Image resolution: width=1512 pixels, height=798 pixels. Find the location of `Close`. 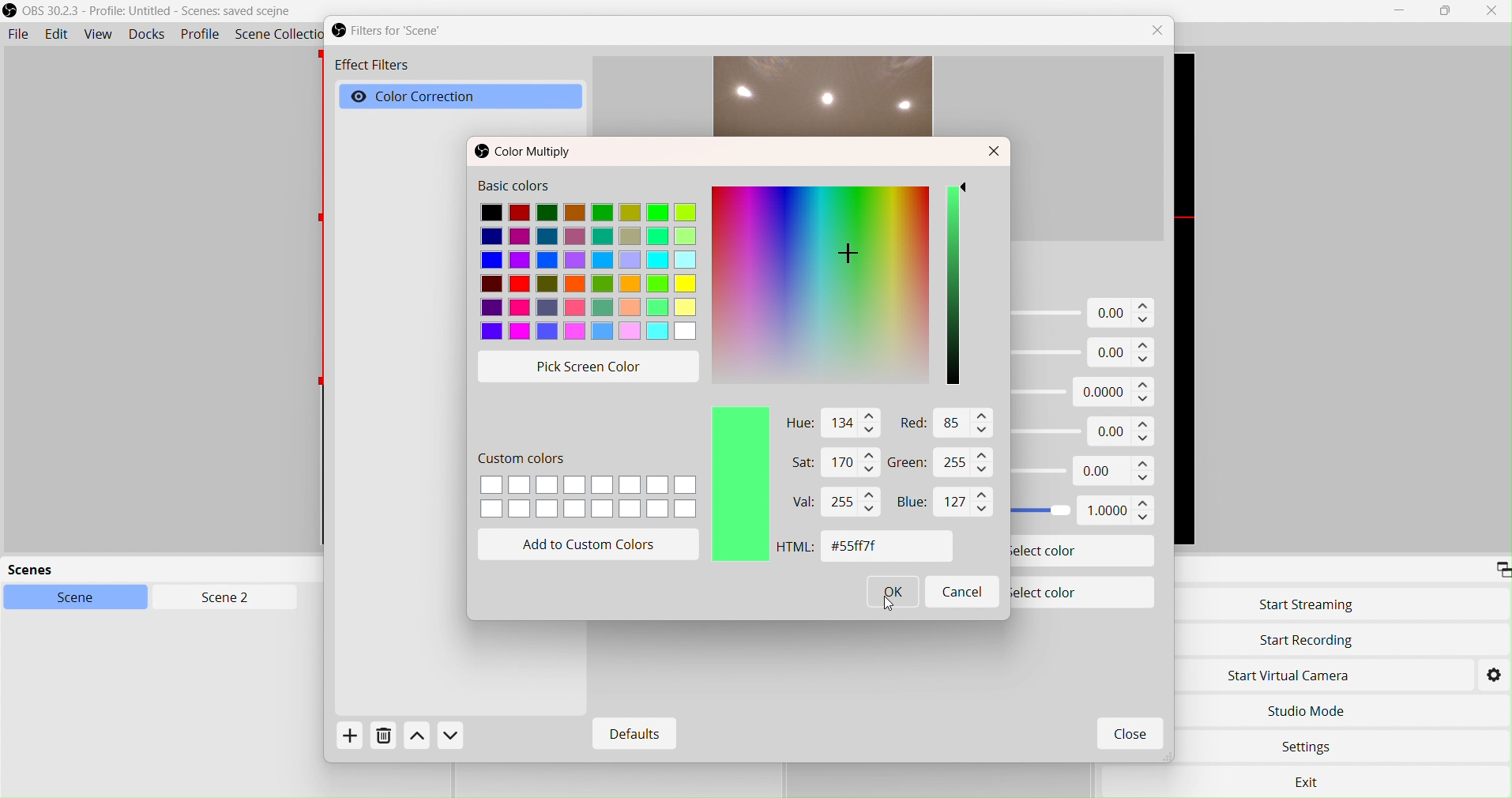

Close is located at coordinates (1161, 31).